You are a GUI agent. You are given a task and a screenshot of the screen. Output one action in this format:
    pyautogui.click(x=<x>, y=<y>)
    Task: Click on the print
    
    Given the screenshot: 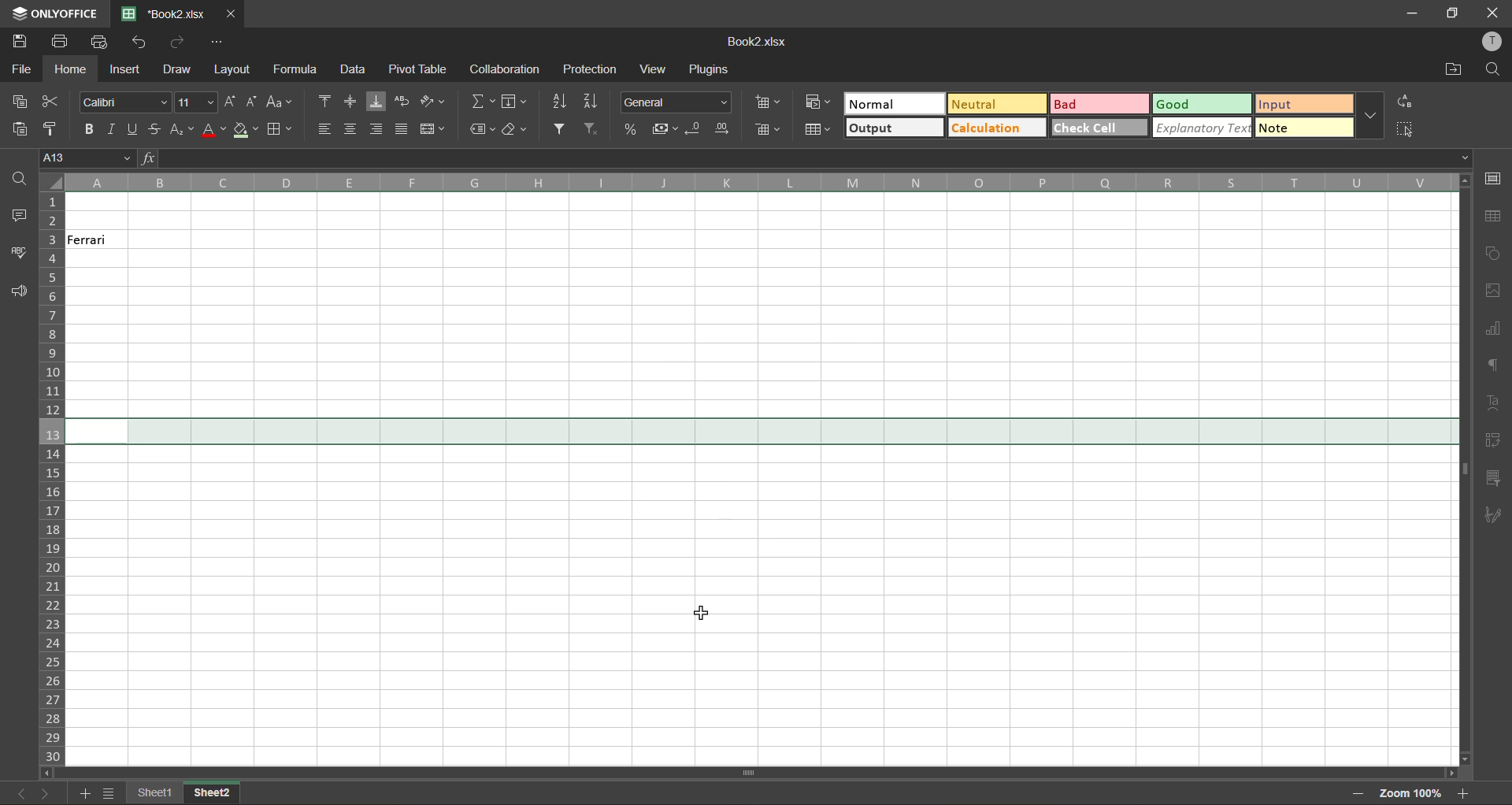 What is the action you would take?
    pyautogui.click(x=61, y=41)
    